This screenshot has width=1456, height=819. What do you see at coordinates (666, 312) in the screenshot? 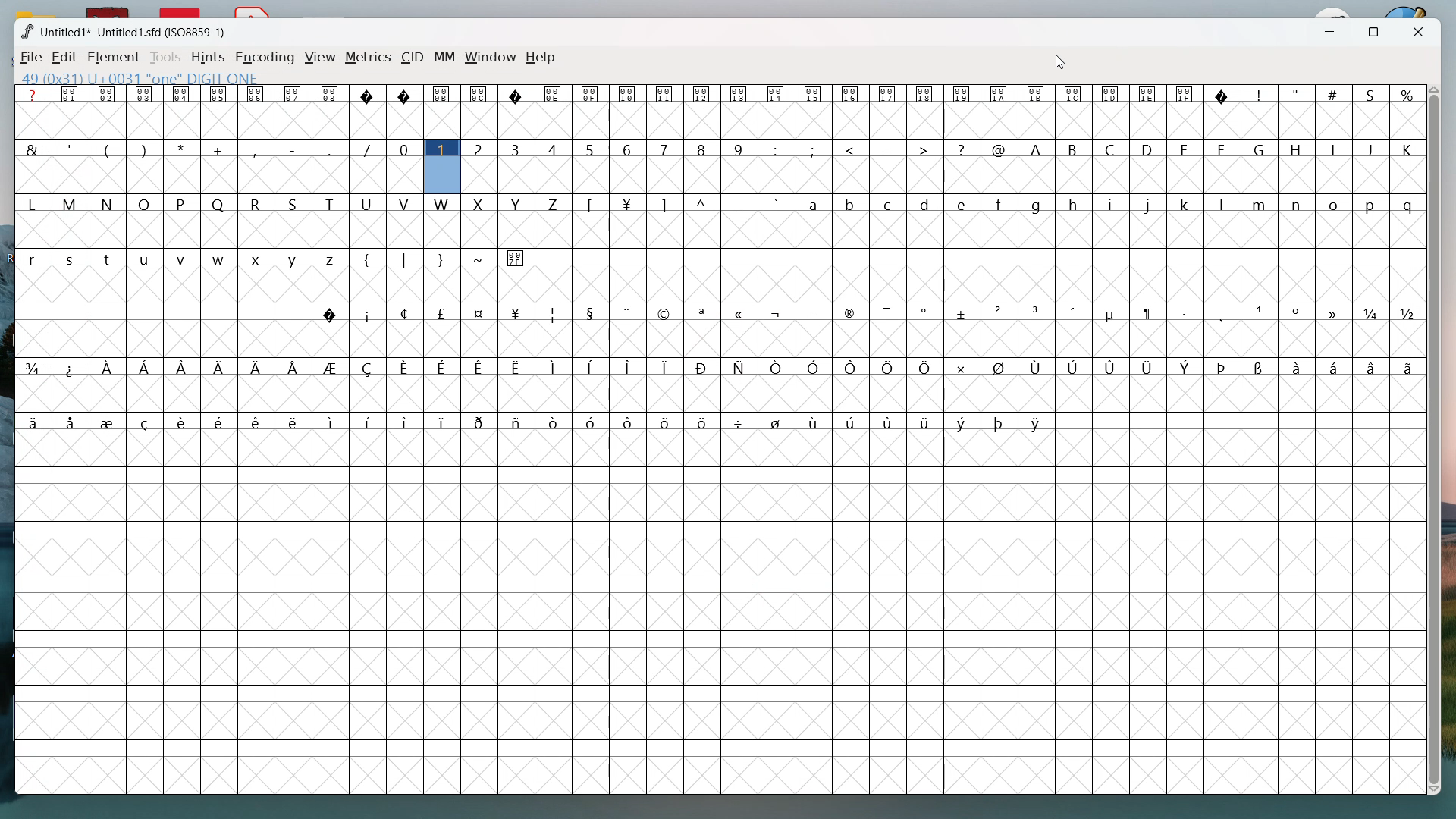
I see `symbol` at bounding box center [666, 312].